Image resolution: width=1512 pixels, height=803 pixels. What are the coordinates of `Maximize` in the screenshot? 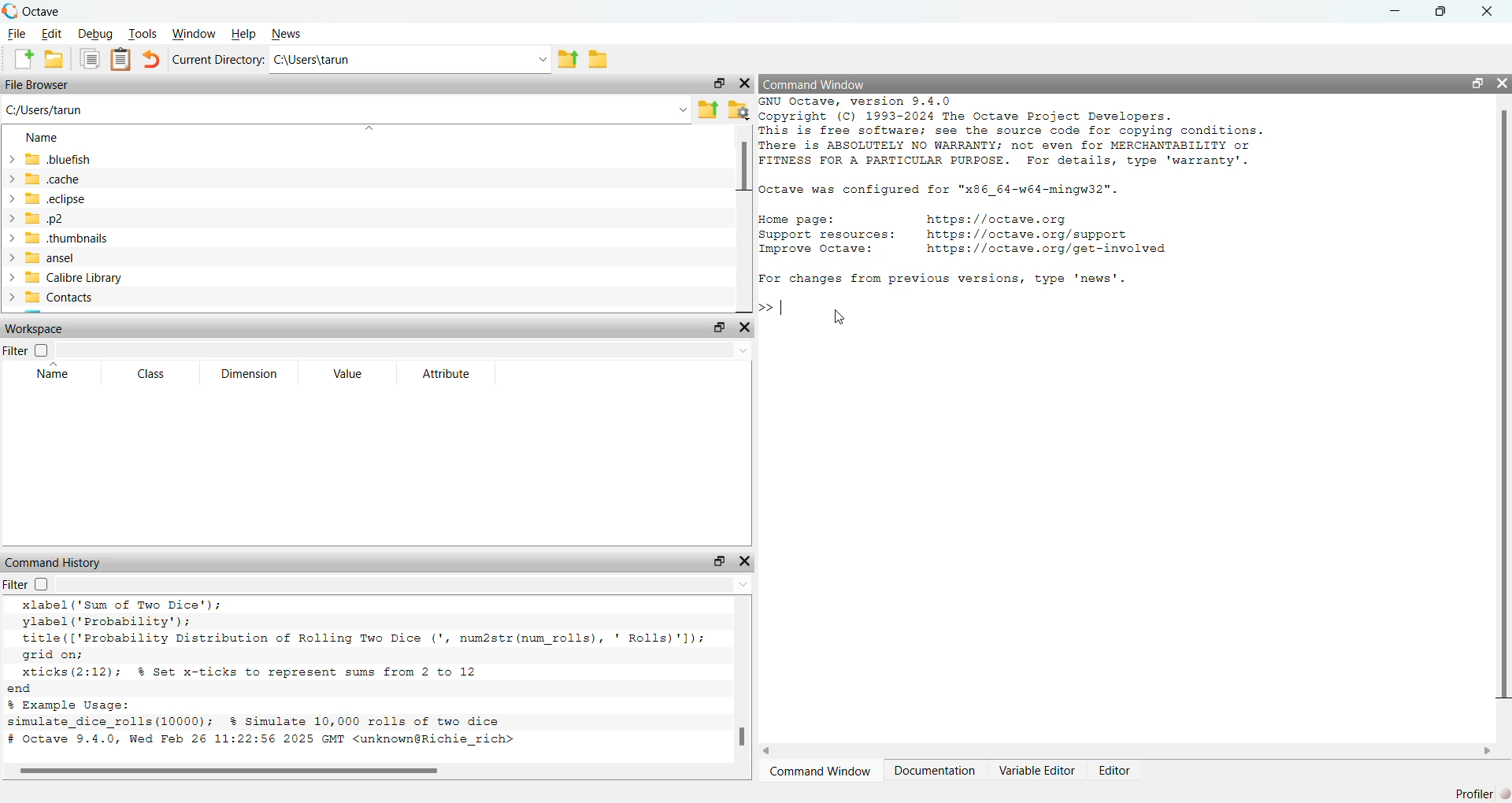 It's located at (1476, 84).